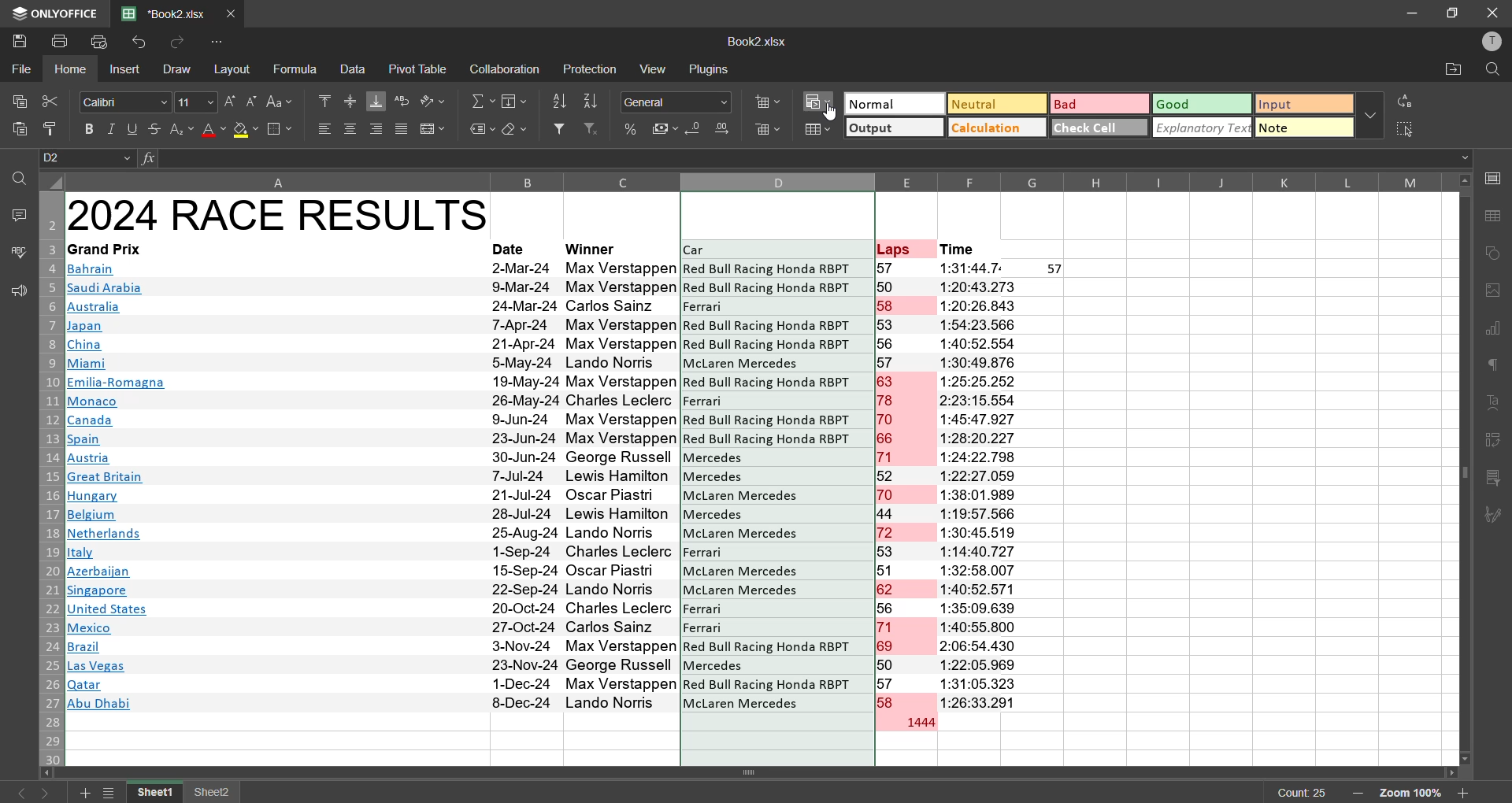 This screenshot has height=803, width=1512. Describe the element at coordinates (756, 40) in the screenshot. I see `filename` at that location.